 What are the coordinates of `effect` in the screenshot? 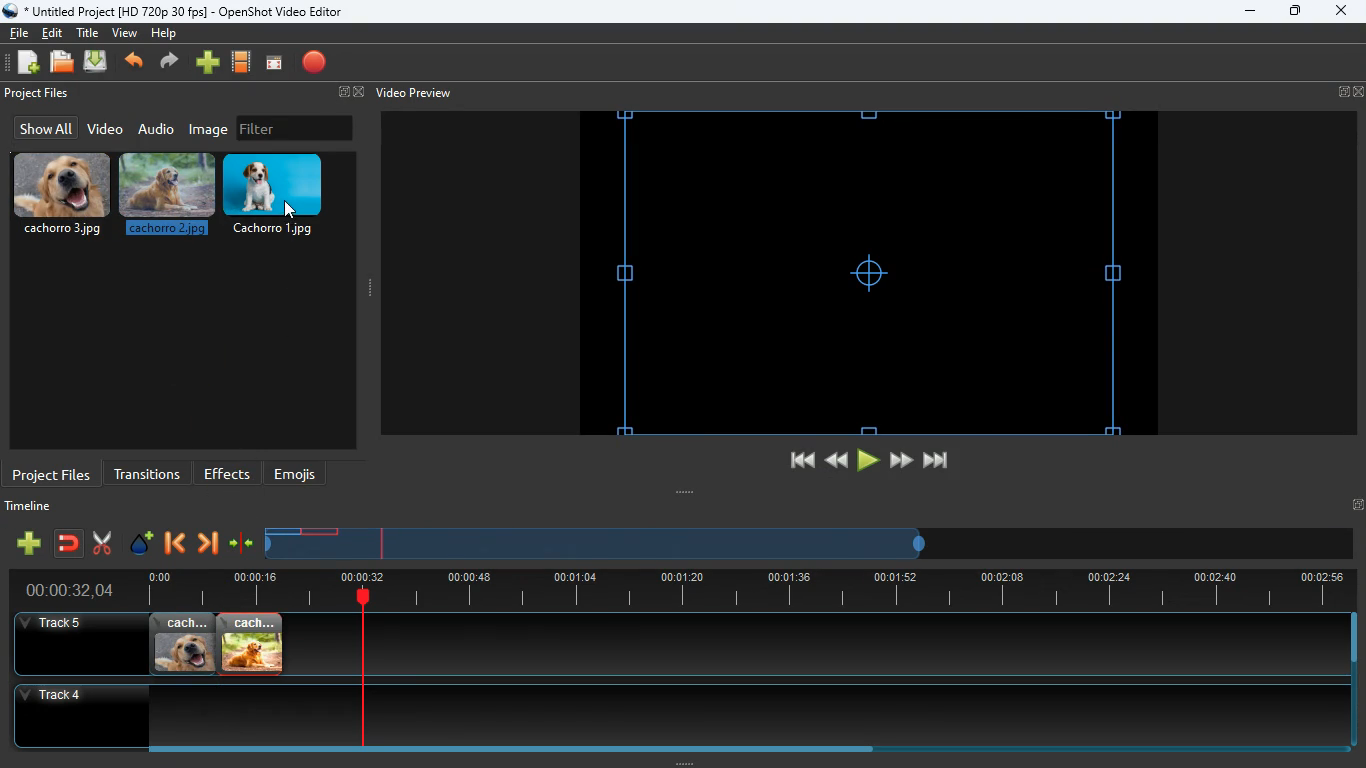 It's located at (142, 545).